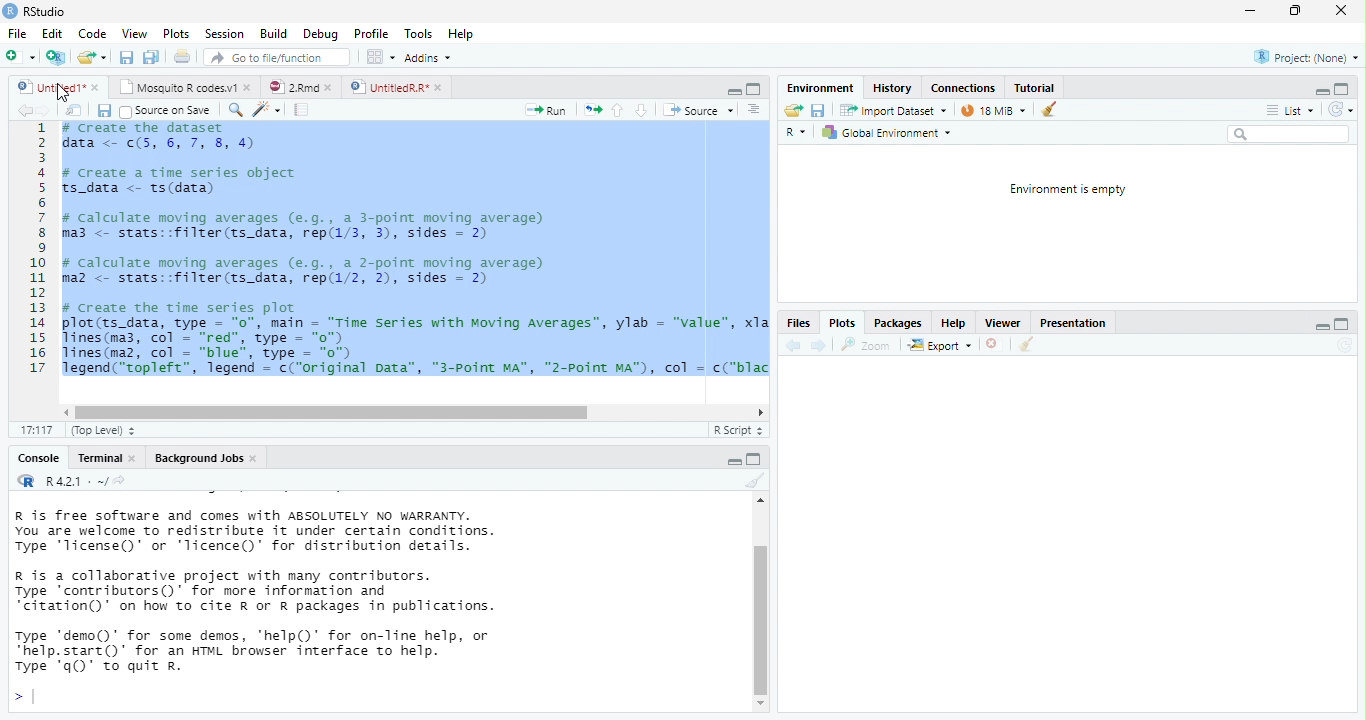 The image size is (1366, 720). Describe the element at coordinates (1025, 346) in the screenshot. I see `clear` at that location.